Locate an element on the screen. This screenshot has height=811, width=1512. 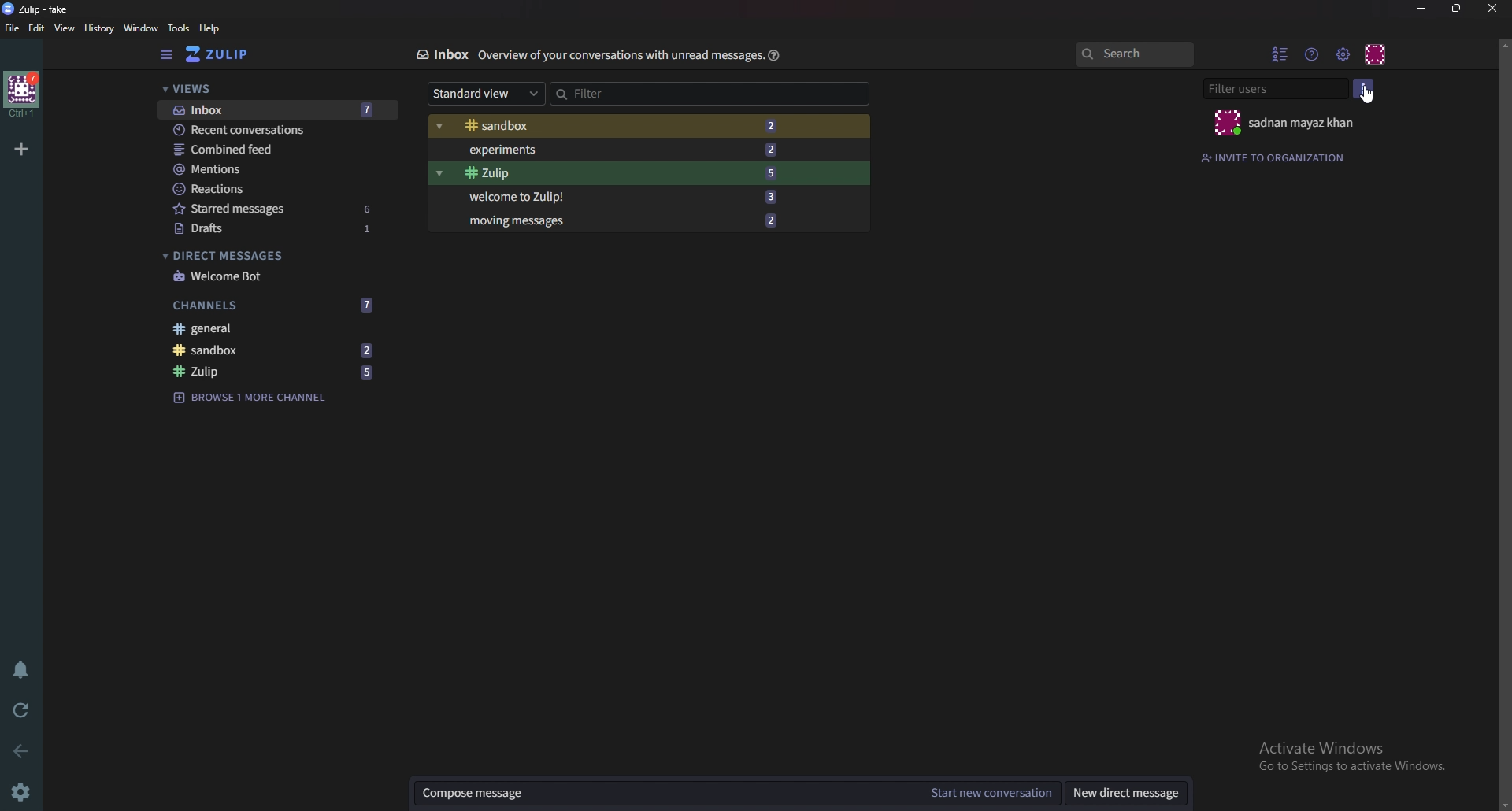
views is located at coordinates (269, 90).